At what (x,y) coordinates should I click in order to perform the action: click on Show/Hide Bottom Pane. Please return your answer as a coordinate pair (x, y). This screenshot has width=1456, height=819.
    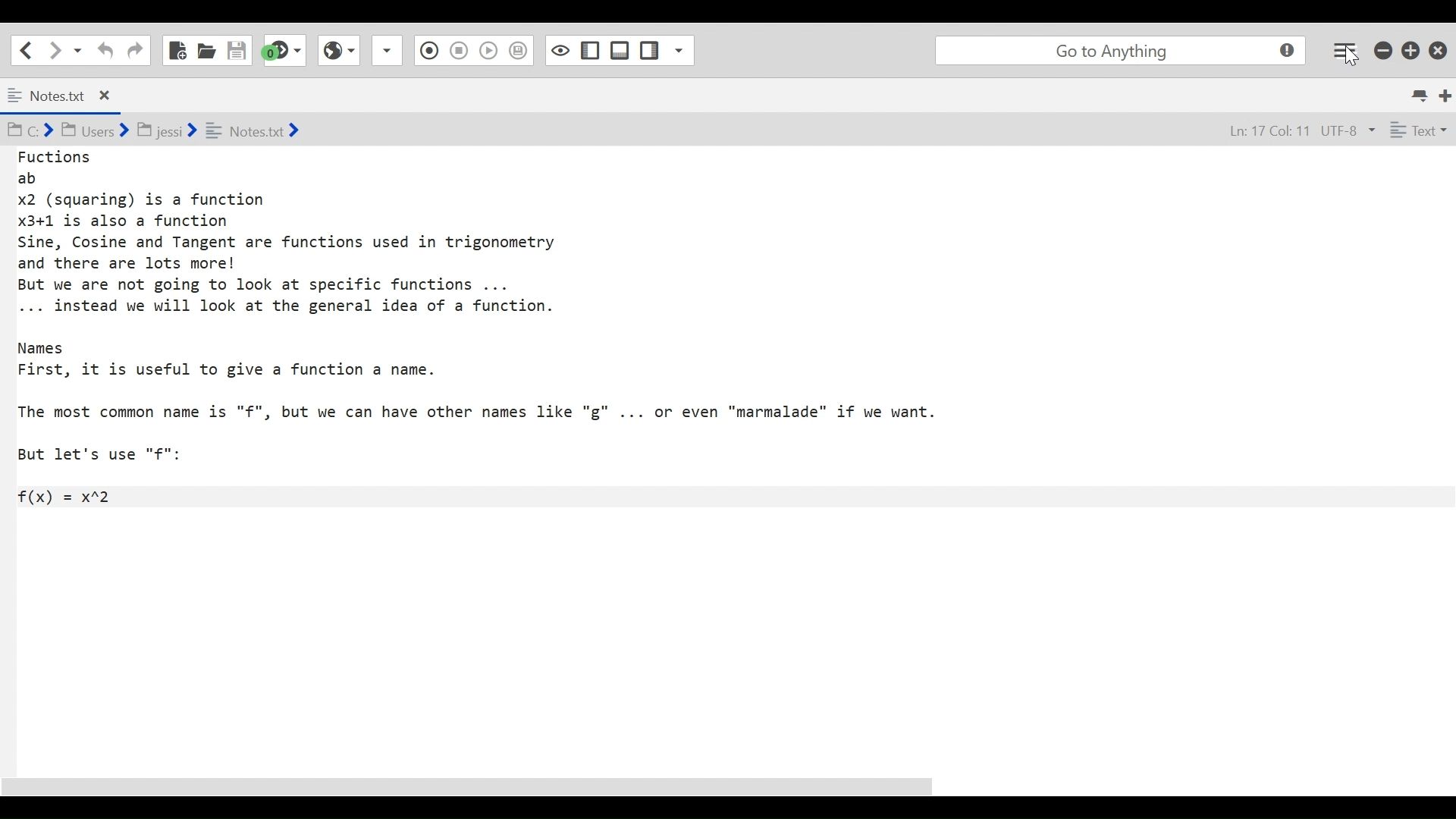
    Looking at the image, I should click on (591, 51).